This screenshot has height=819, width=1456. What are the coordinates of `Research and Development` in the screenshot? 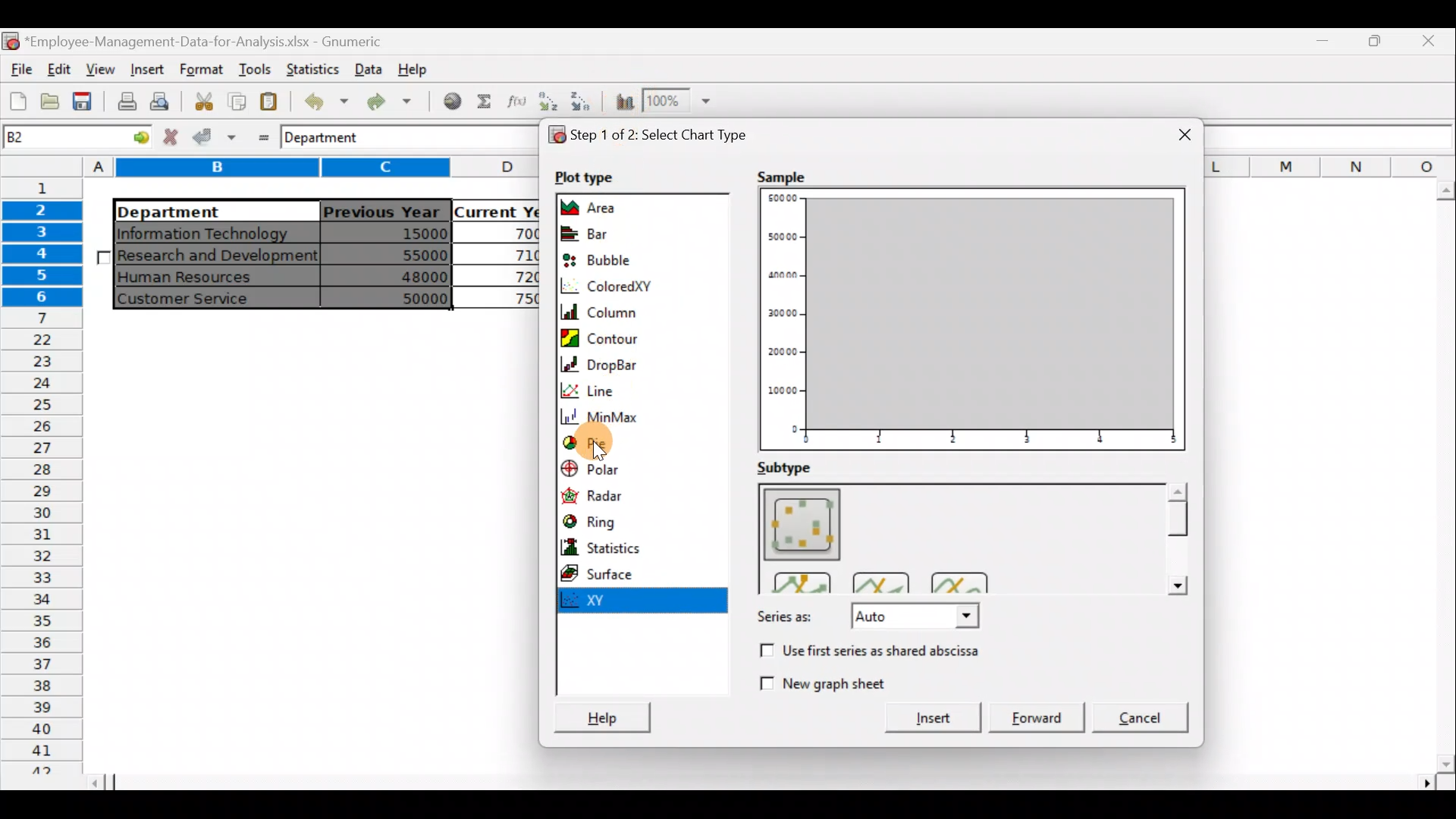 It's located at (218, 257).